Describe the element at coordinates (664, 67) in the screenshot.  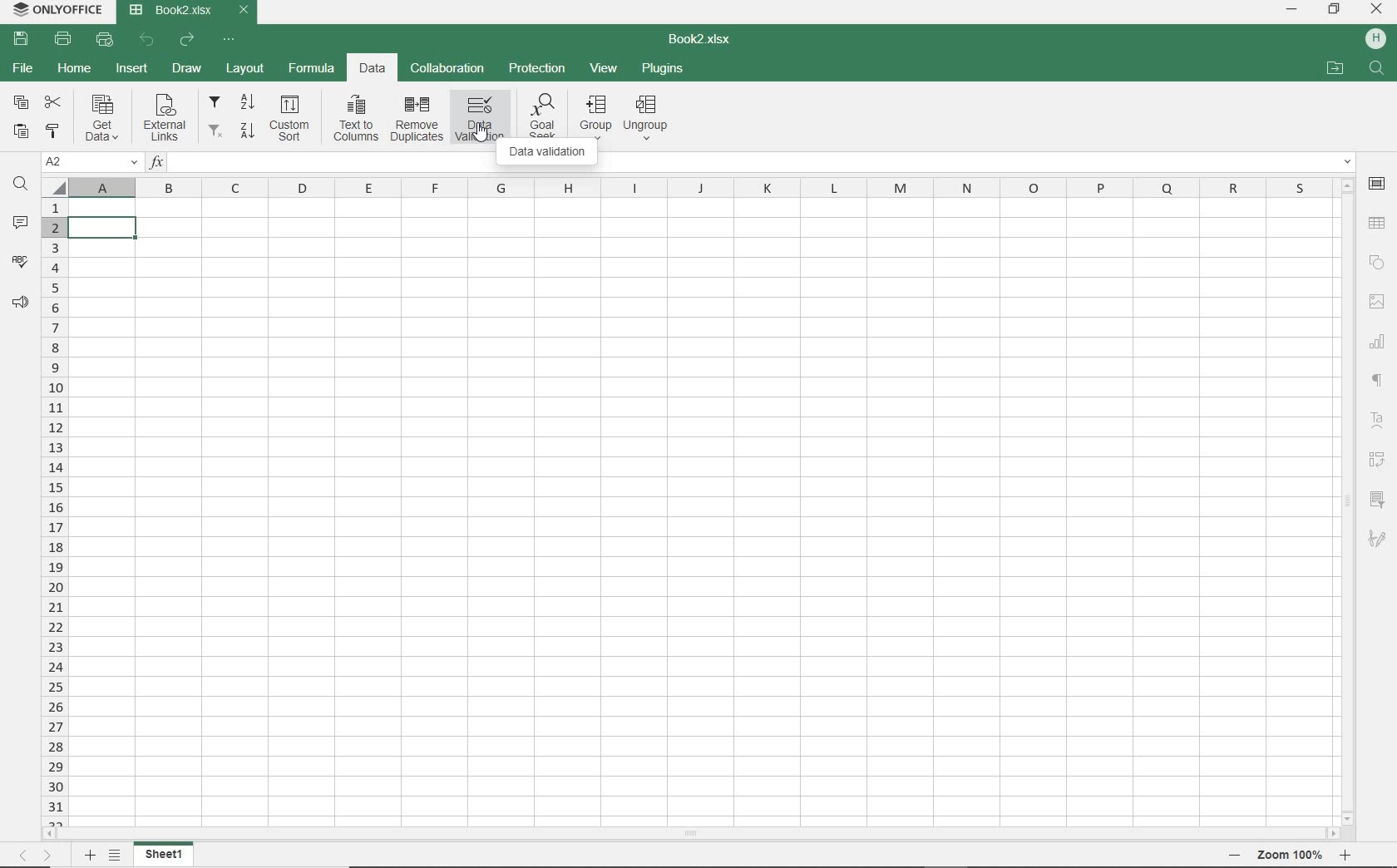
I see `PLUGINS` at that location.